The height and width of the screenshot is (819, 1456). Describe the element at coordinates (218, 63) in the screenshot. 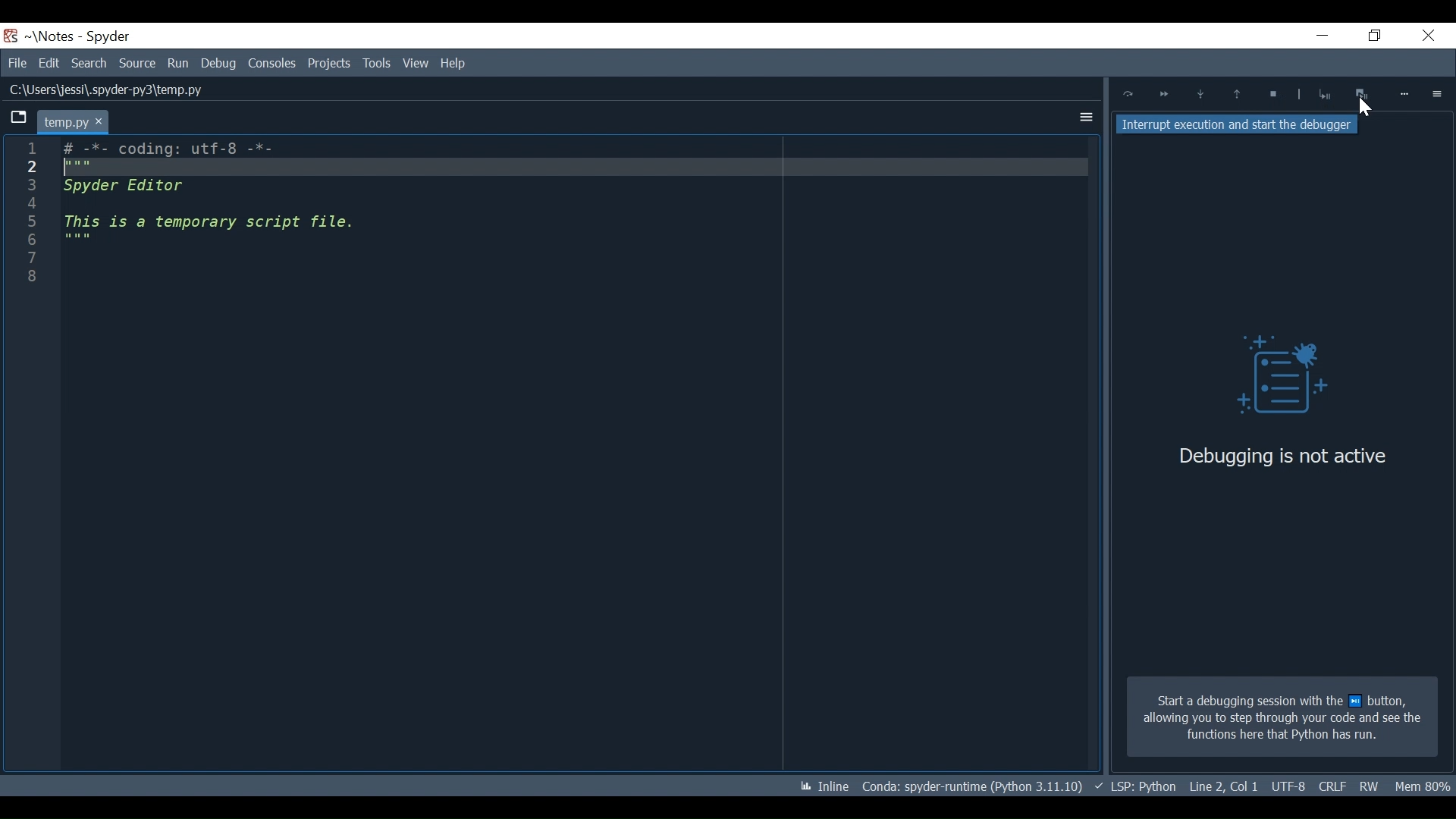

I see `Debug` at that location.